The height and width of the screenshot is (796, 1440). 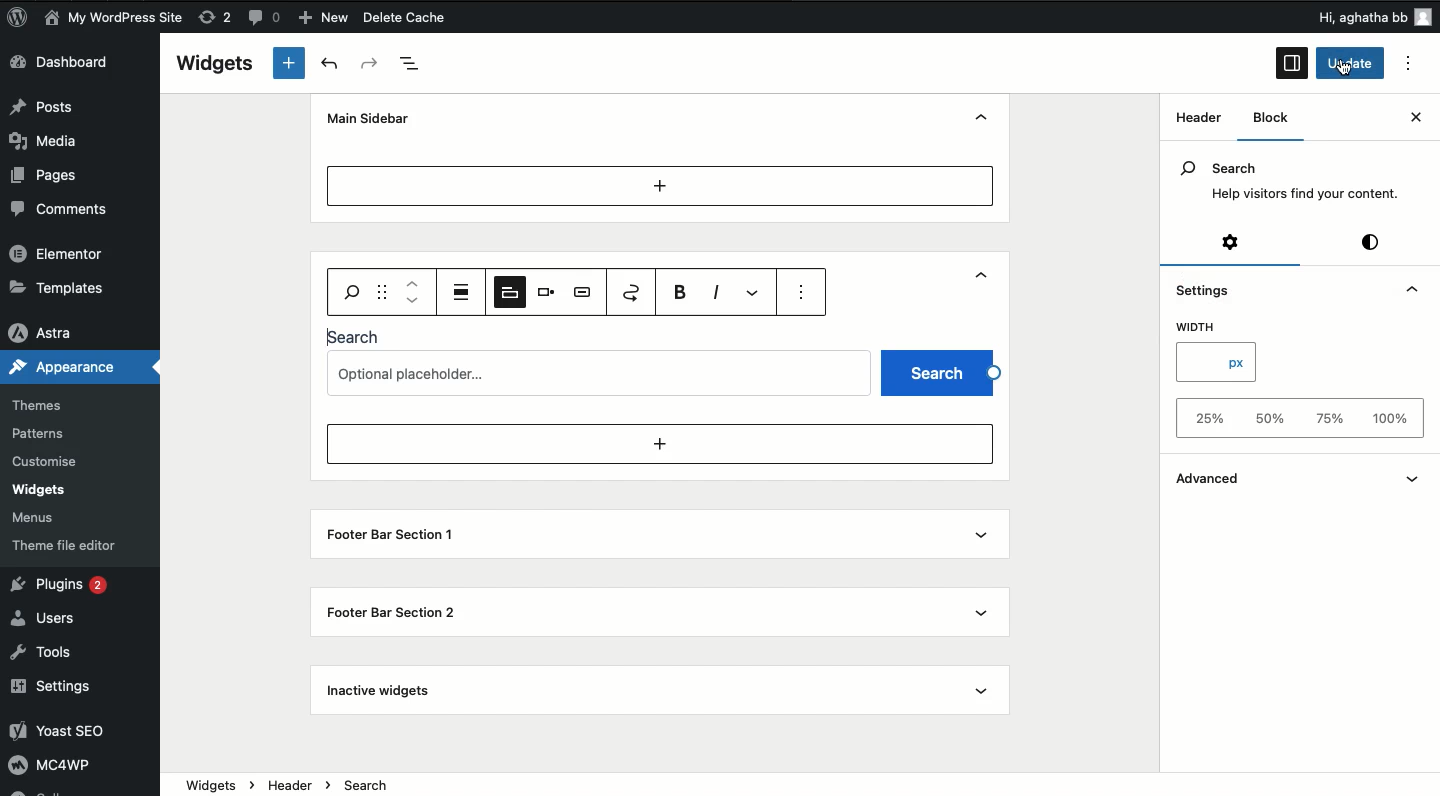 What do you see at coordinates (383, 691) in the screenshot?
I see `Inactive widgets` at bounding box center [383, 691].